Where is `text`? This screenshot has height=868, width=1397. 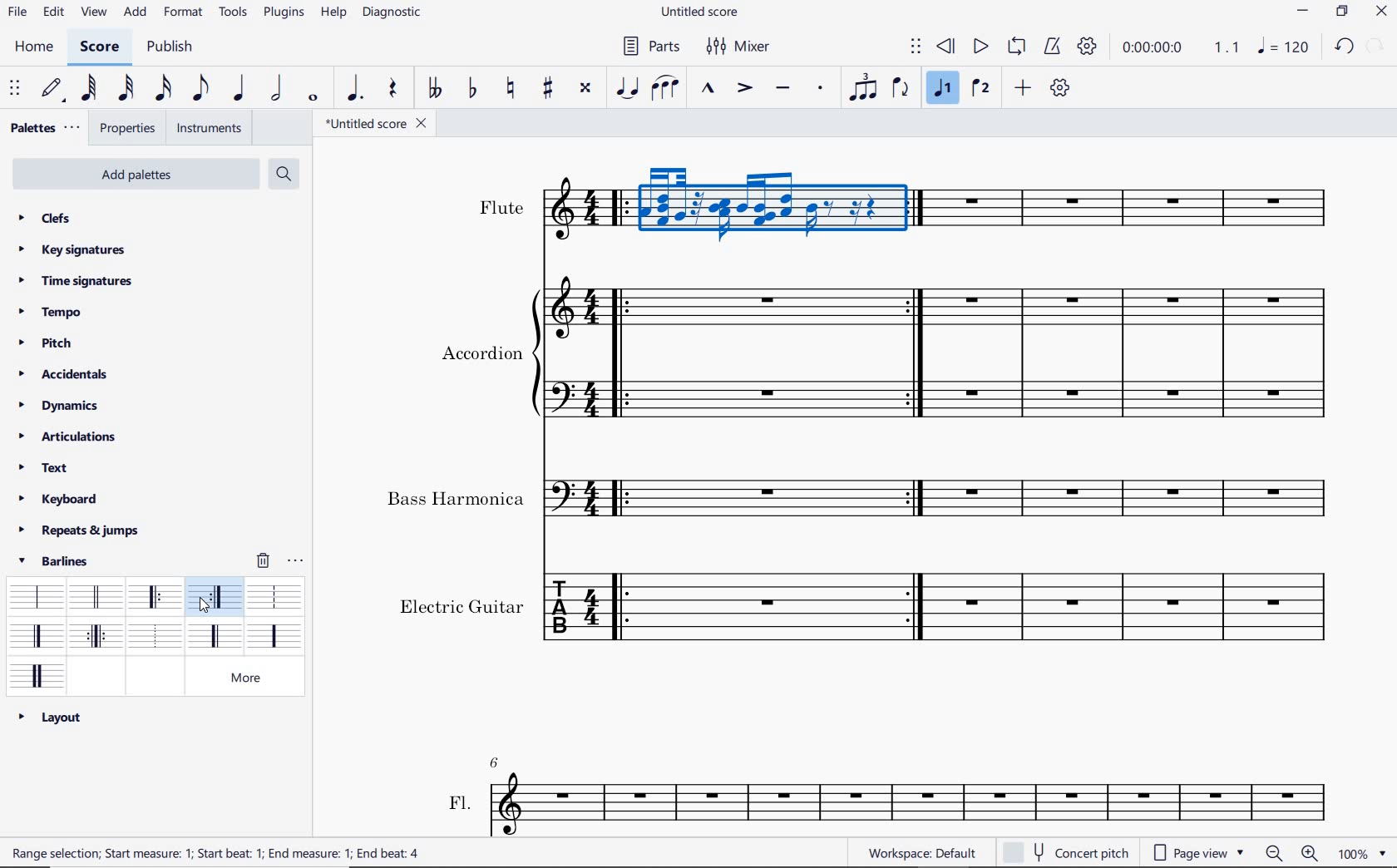 text is located at coordinates (462, 604).